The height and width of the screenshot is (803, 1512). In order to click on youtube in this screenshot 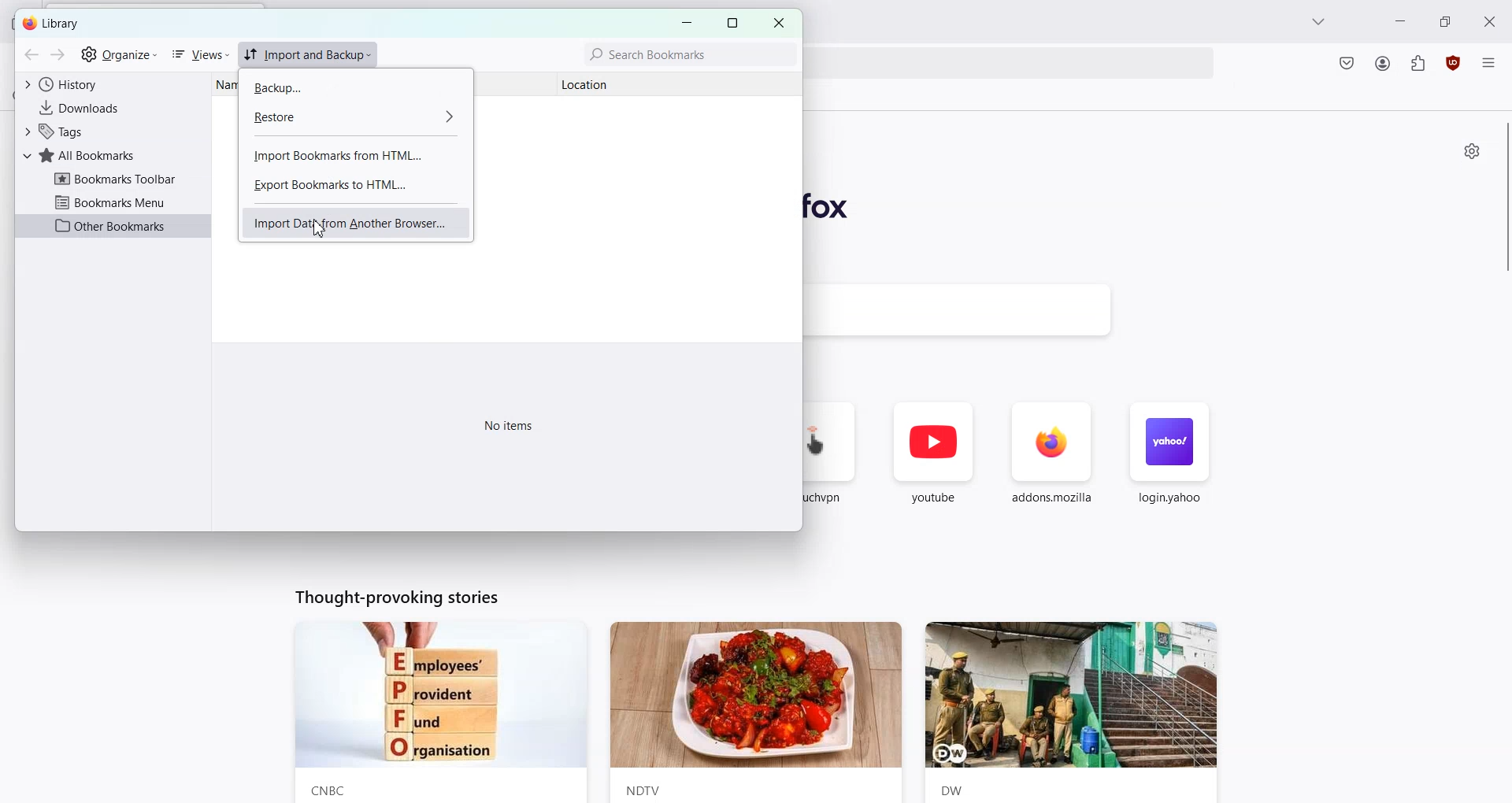, I will do `click(933, 462)`.